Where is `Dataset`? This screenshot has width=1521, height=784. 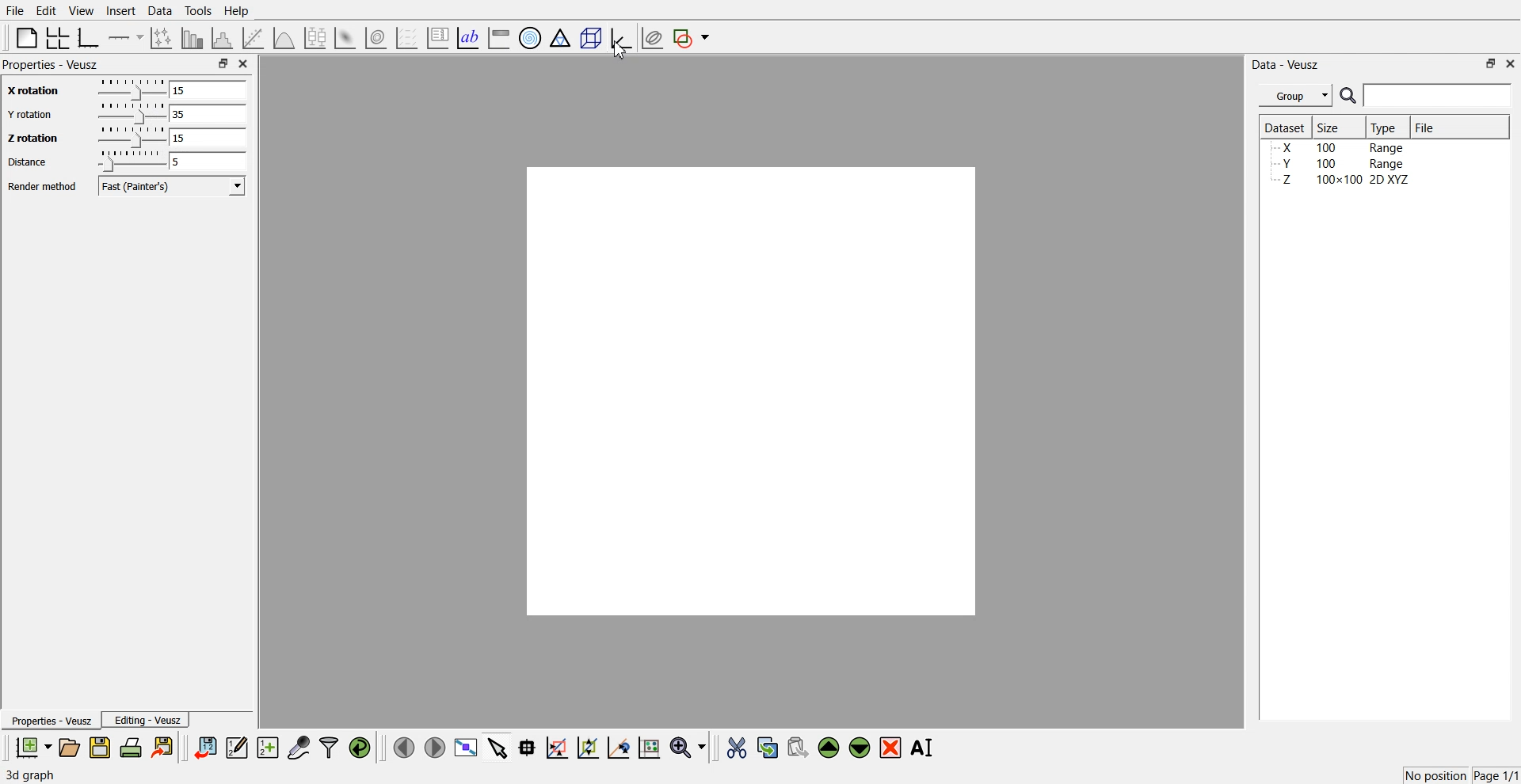 Dataset is located at coordinates (1285, 127).